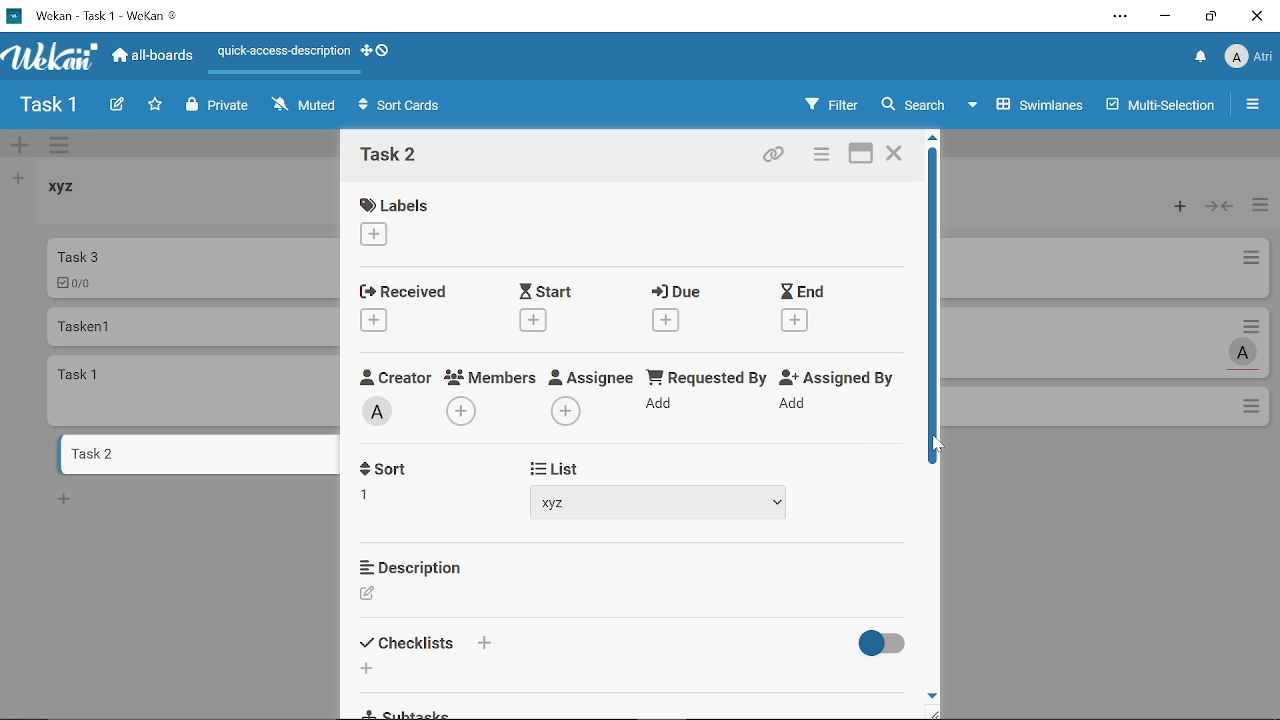 This screenshot has height=720, width=1280. I want to click on Requested By, so click(703, 378).